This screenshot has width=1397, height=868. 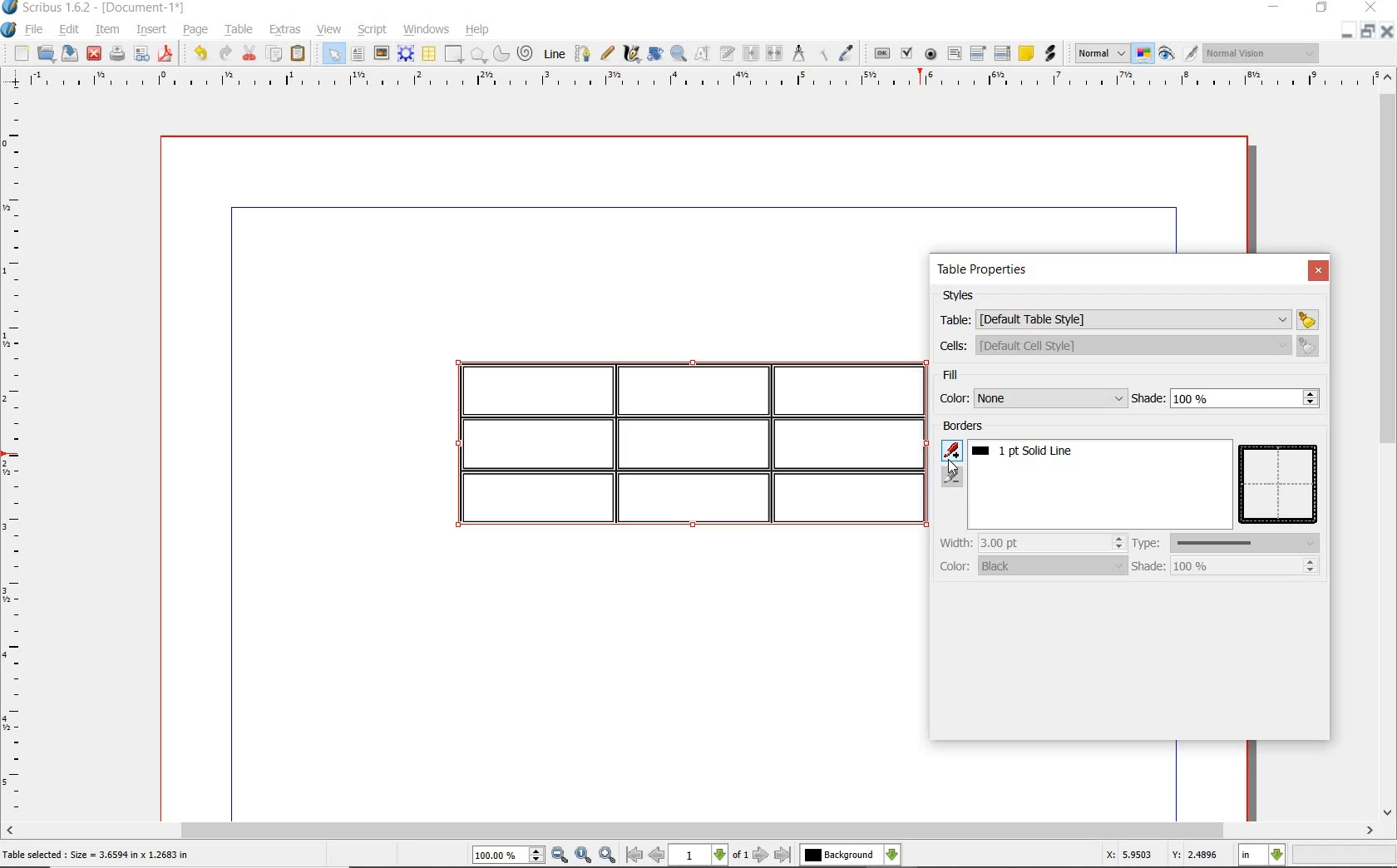 What do you see at coordinates (509, 856) in the screenshot?
I see `select current zoom level` at bounding box center [509, 856].